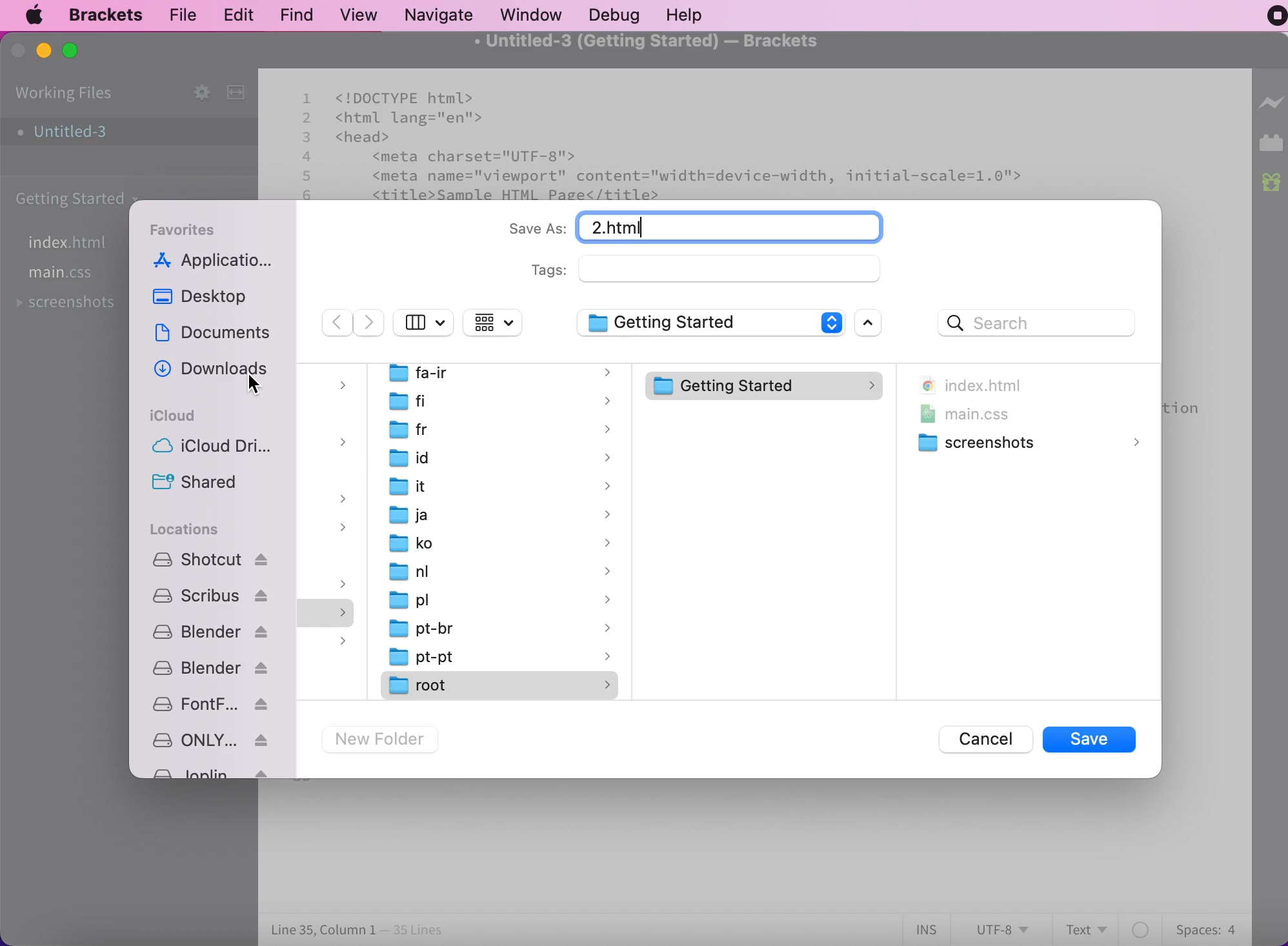 This screenshot has width=1288, height=946. Describe the element at coordinates (235, 92) in the screenshot. I see `split the editor vertically or horizontally` at that location.